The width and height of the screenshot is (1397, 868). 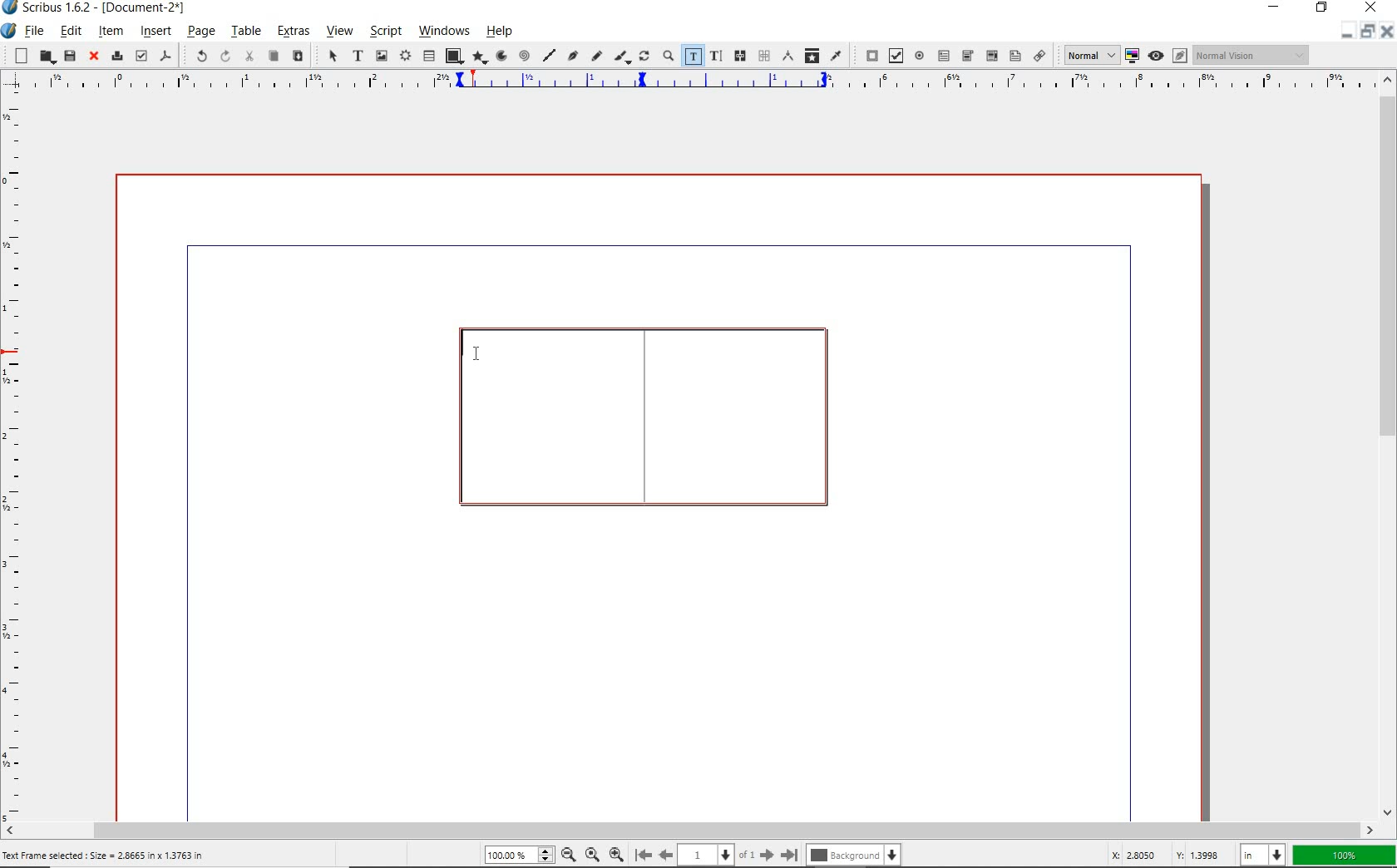 I want to click on go to next page, so click(x=768, y=855).